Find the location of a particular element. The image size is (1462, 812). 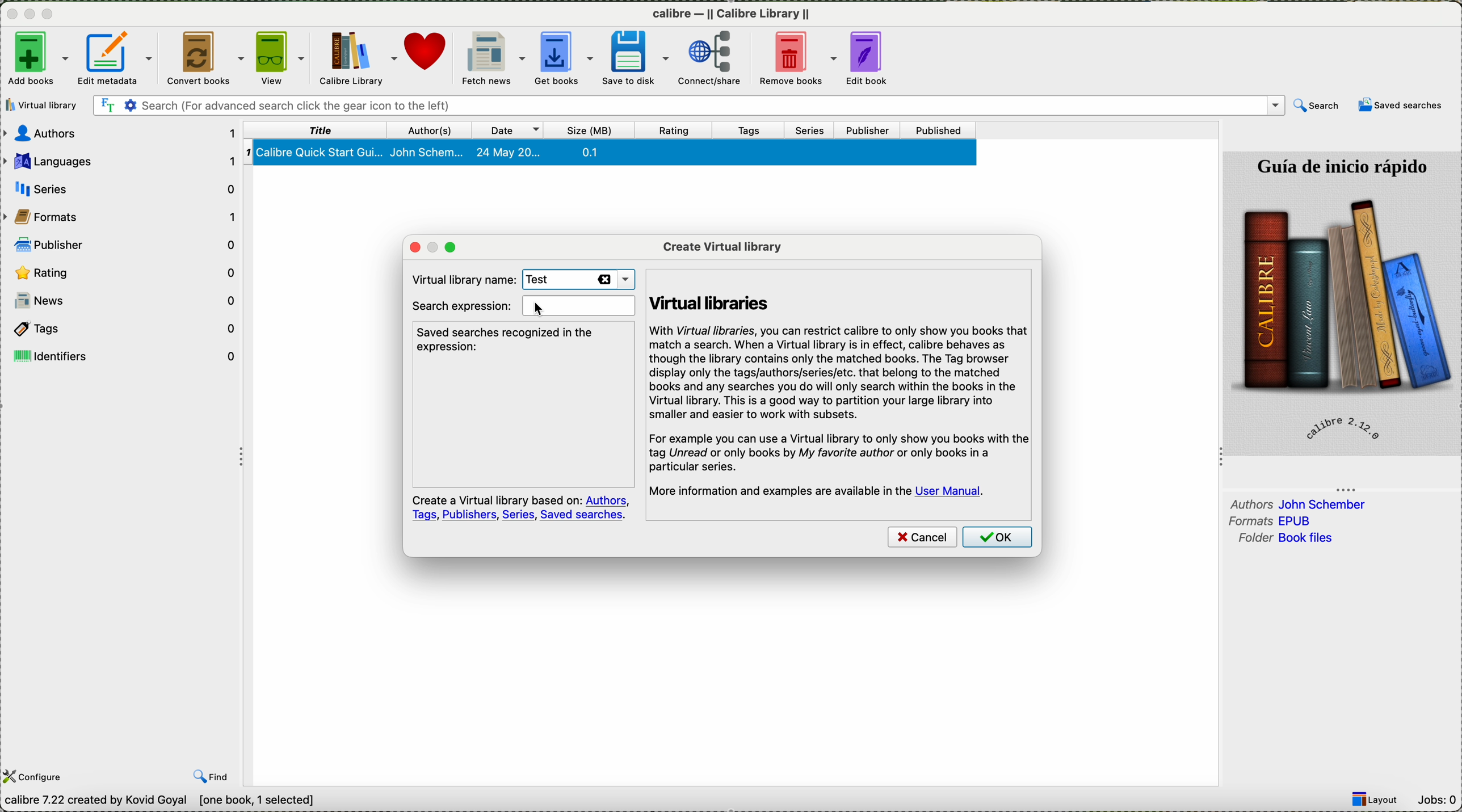

view is located at coordinates (282, 59).